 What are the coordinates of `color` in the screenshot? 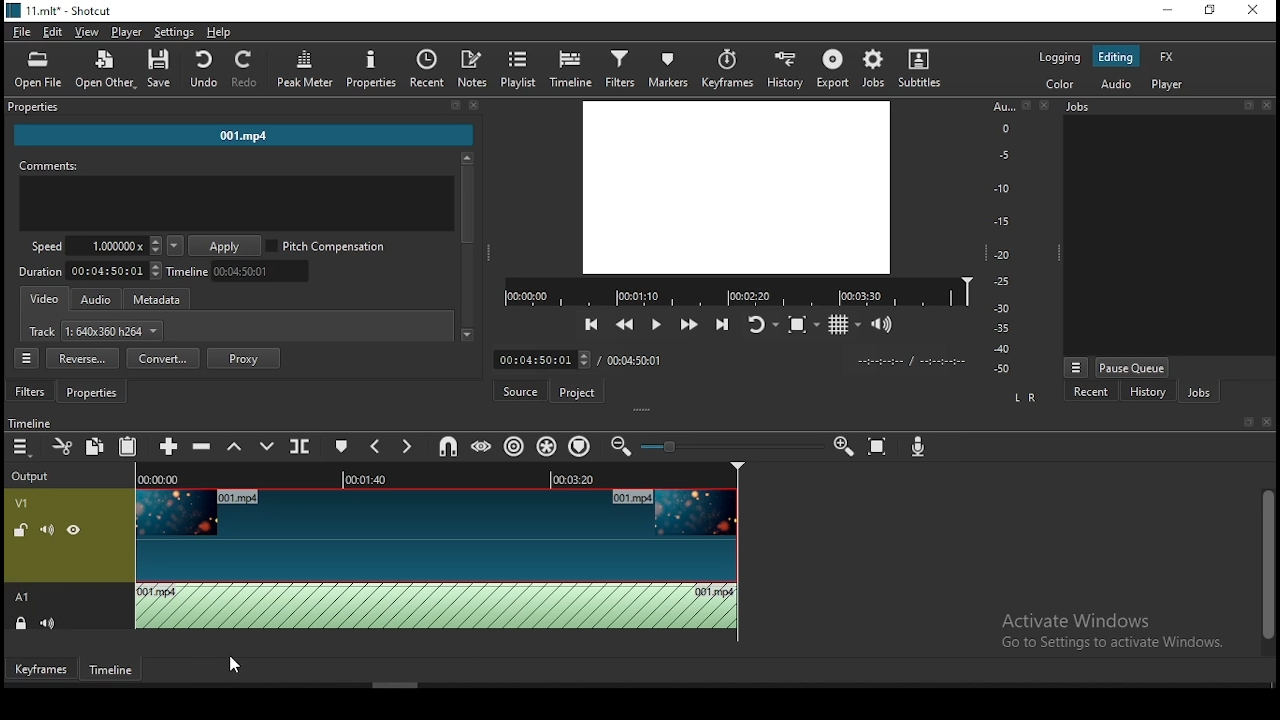 It's located at (1059, 83).